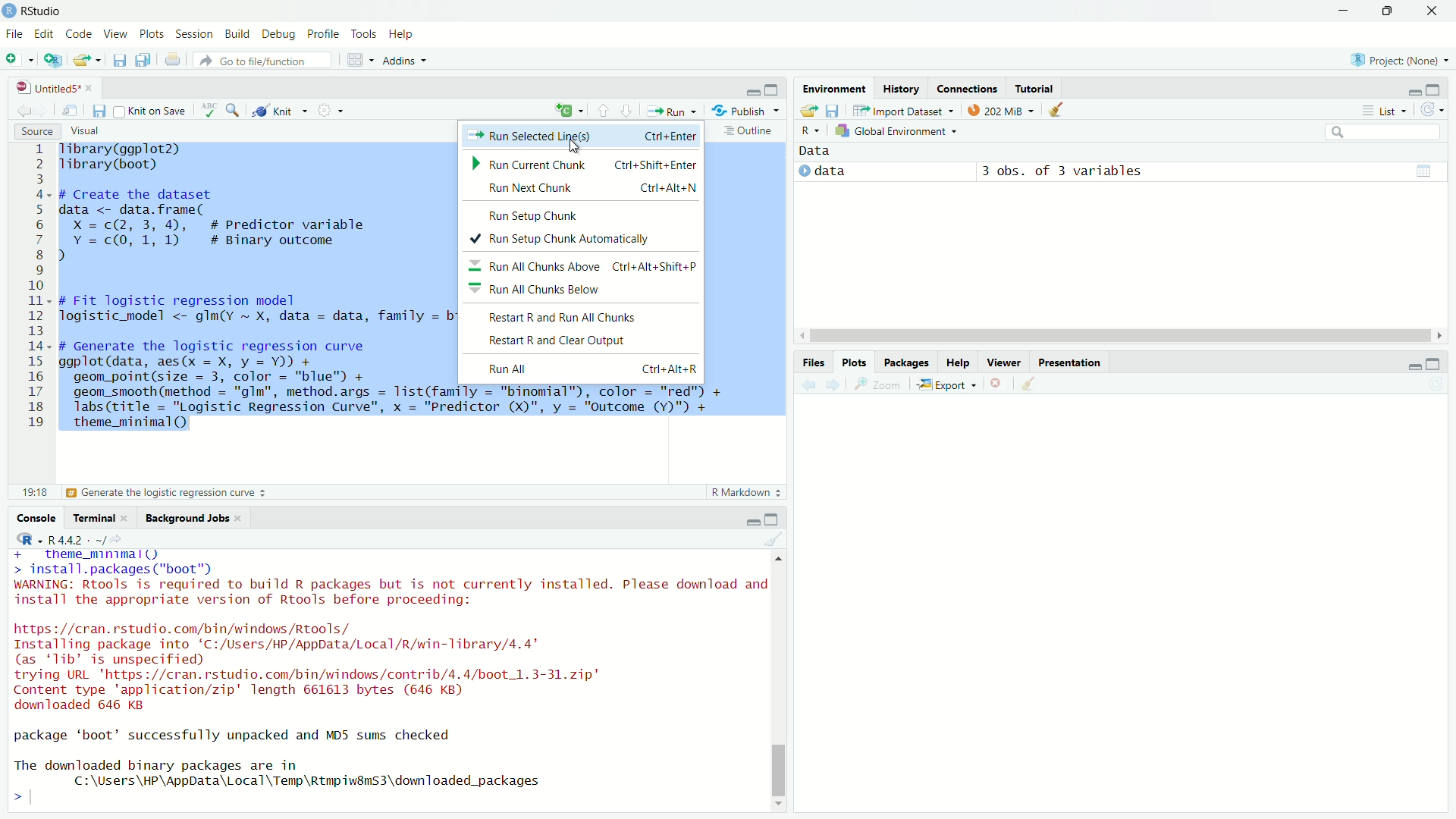 The height and width of the screenshot is (819, 1456). Describe the element at coordinates (745, 110) in the screenshot. I see `Publish` at that location.